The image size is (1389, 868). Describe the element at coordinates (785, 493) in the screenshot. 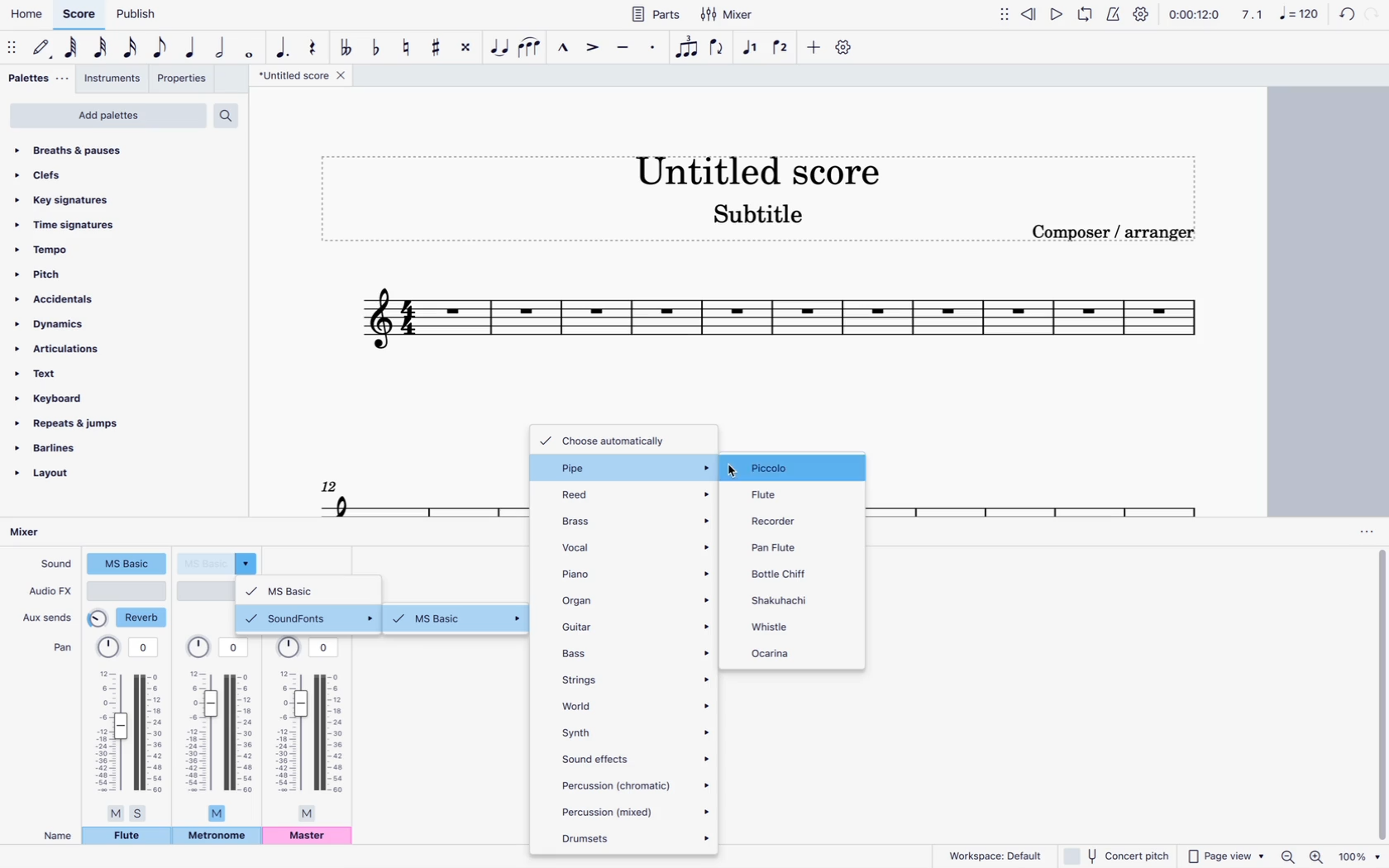

I see `flute` at that location.